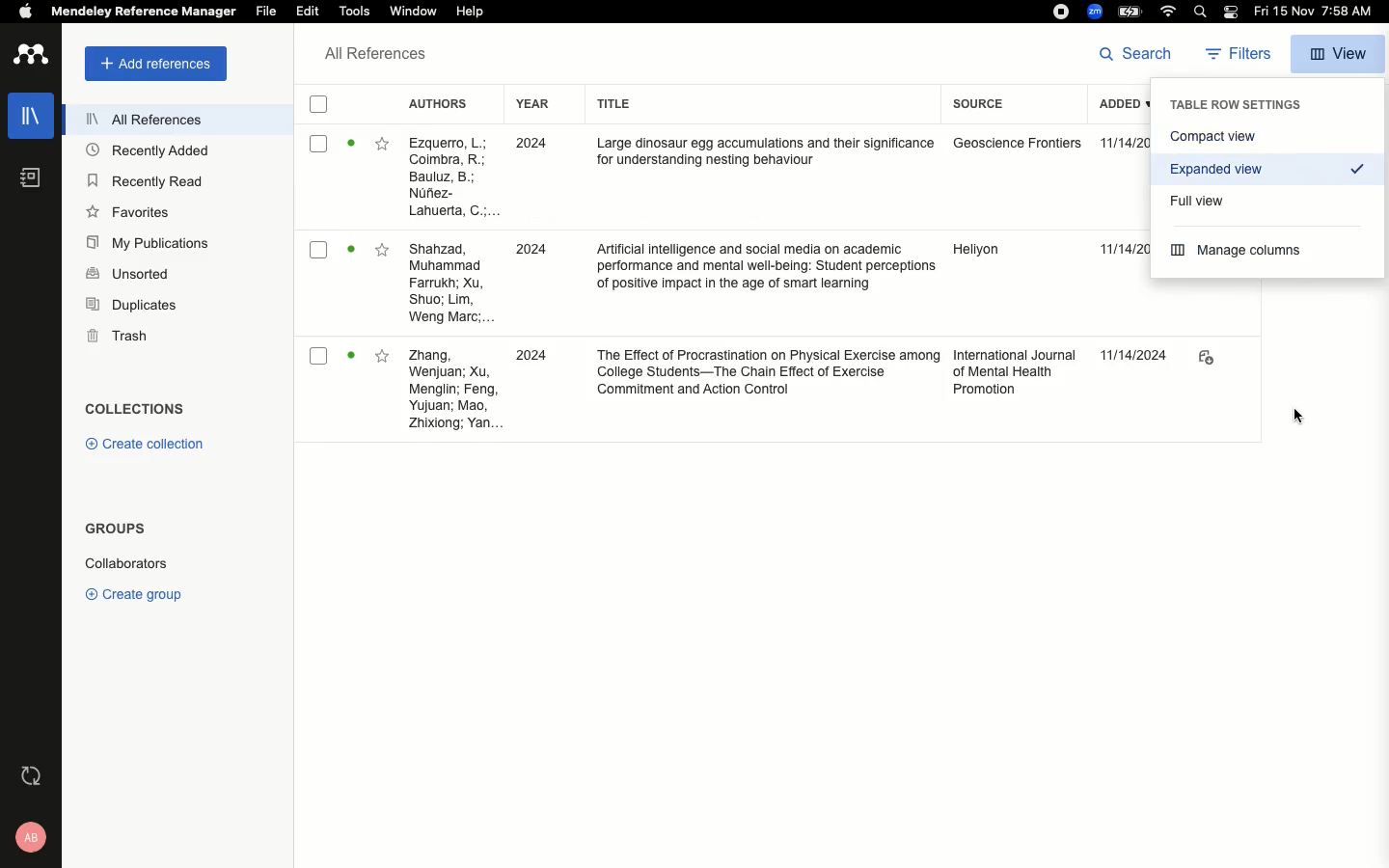 This screenshot has width=1389, height=868. What do you see at coordinates (134, 119) in the screenshot?
I see `All references` at bounding box center [134, 119].